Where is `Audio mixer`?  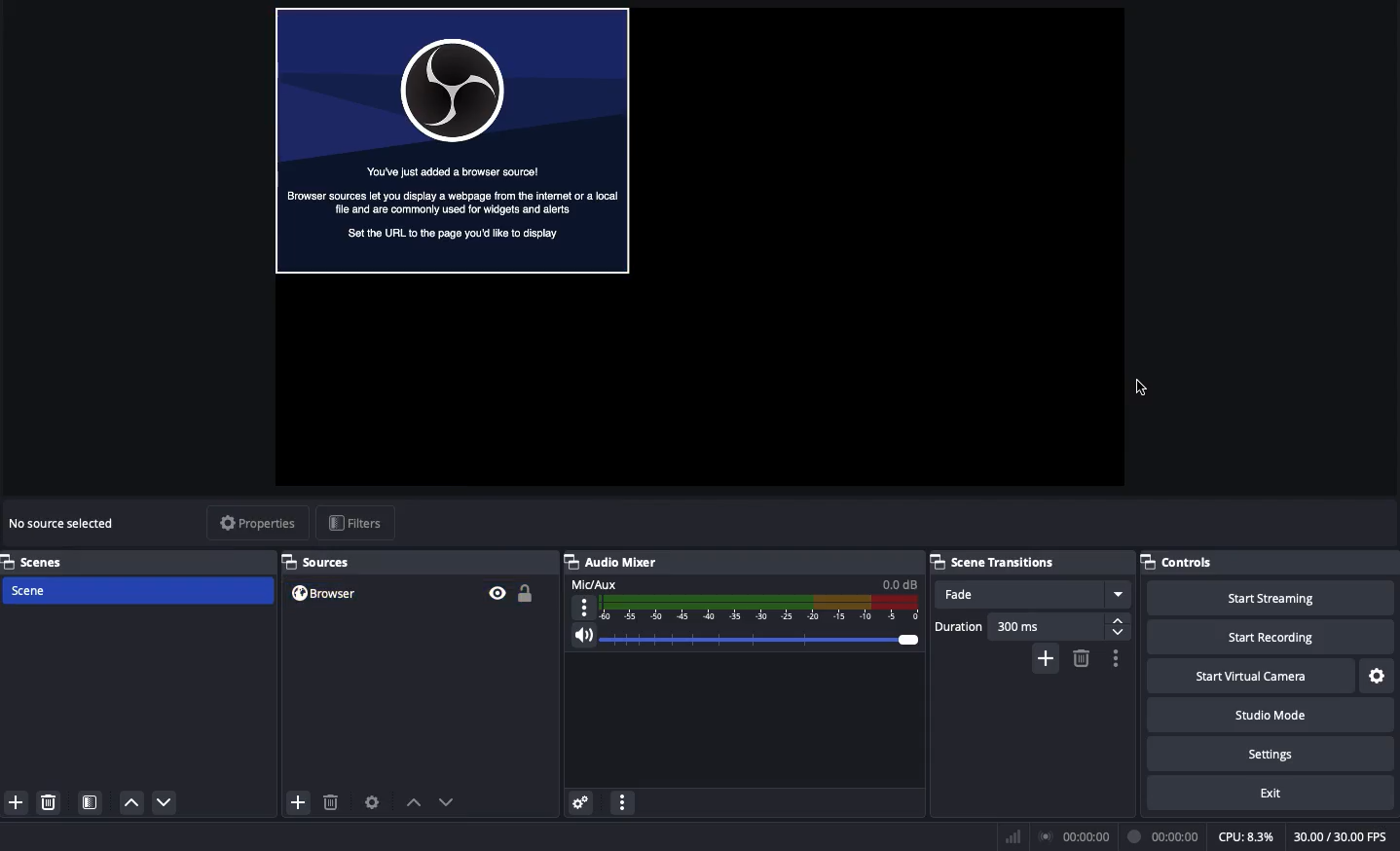
Audio mixer is located at coordinates (615, 562).